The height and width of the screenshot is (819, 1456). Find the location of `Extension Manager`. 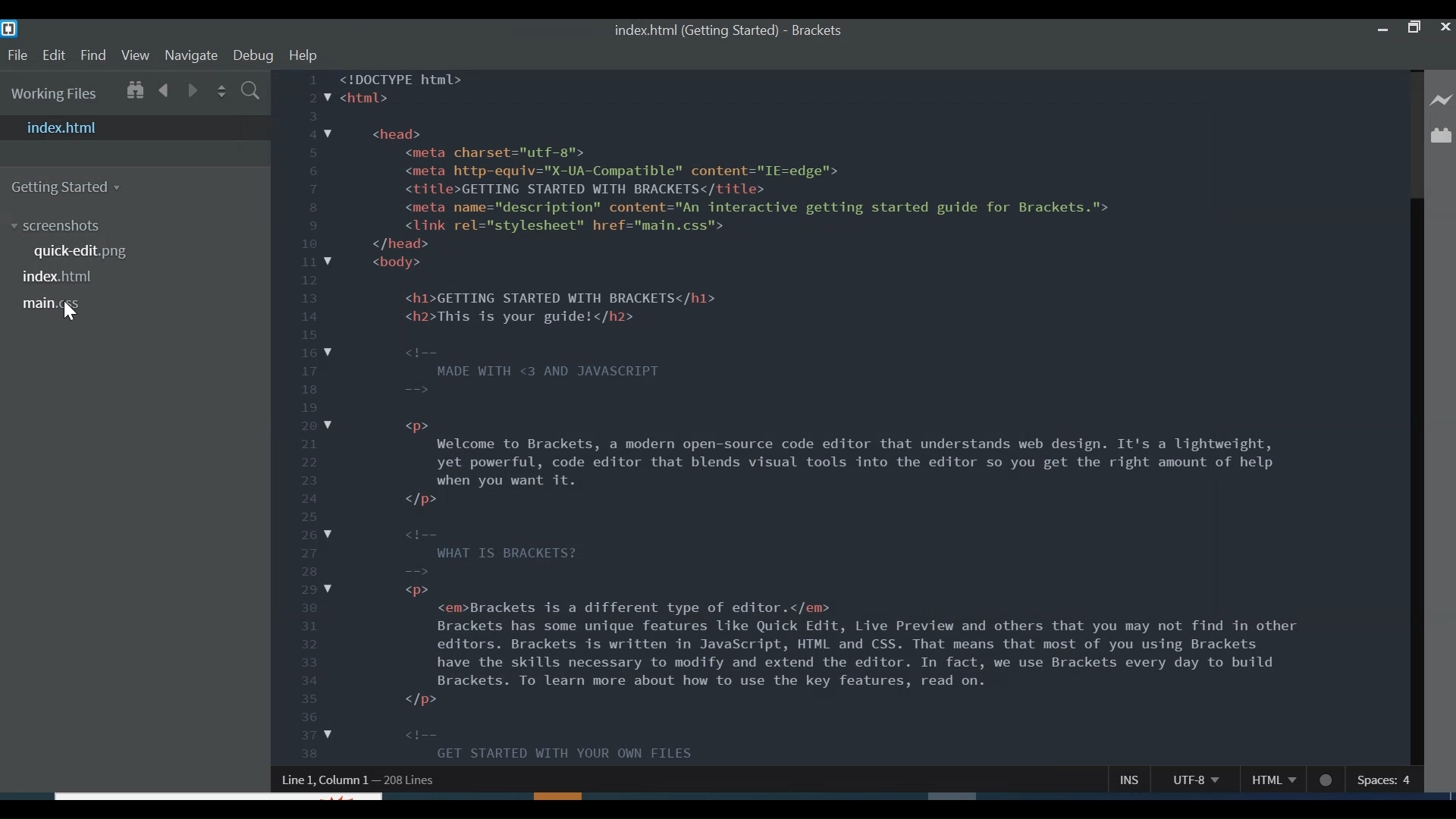

Extension Manager is located at coordinates (1439, 136).